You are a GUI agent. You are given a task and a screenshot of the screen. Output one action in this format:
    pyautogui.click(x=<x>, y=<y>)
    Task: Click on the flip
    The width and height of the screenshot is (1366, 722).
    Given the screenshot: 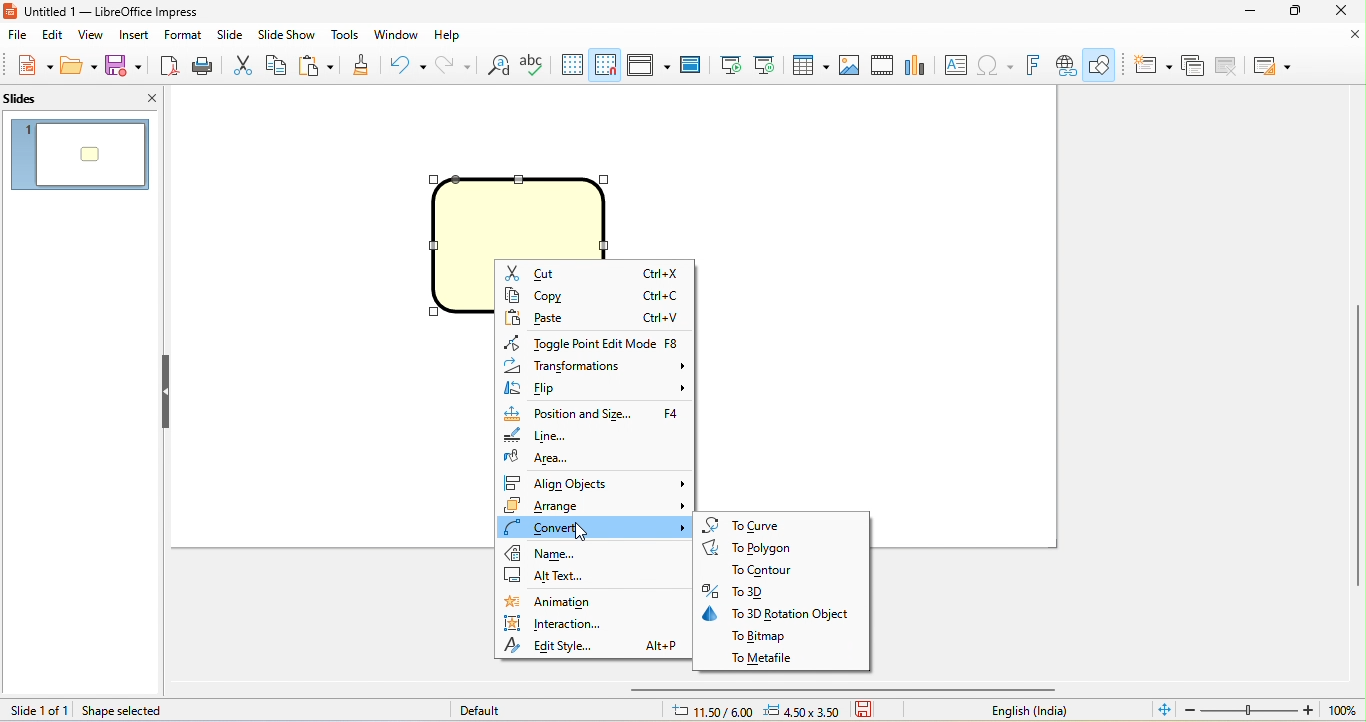 What is the action you would take?
    pyautogui.click(x=597, y=389)
    